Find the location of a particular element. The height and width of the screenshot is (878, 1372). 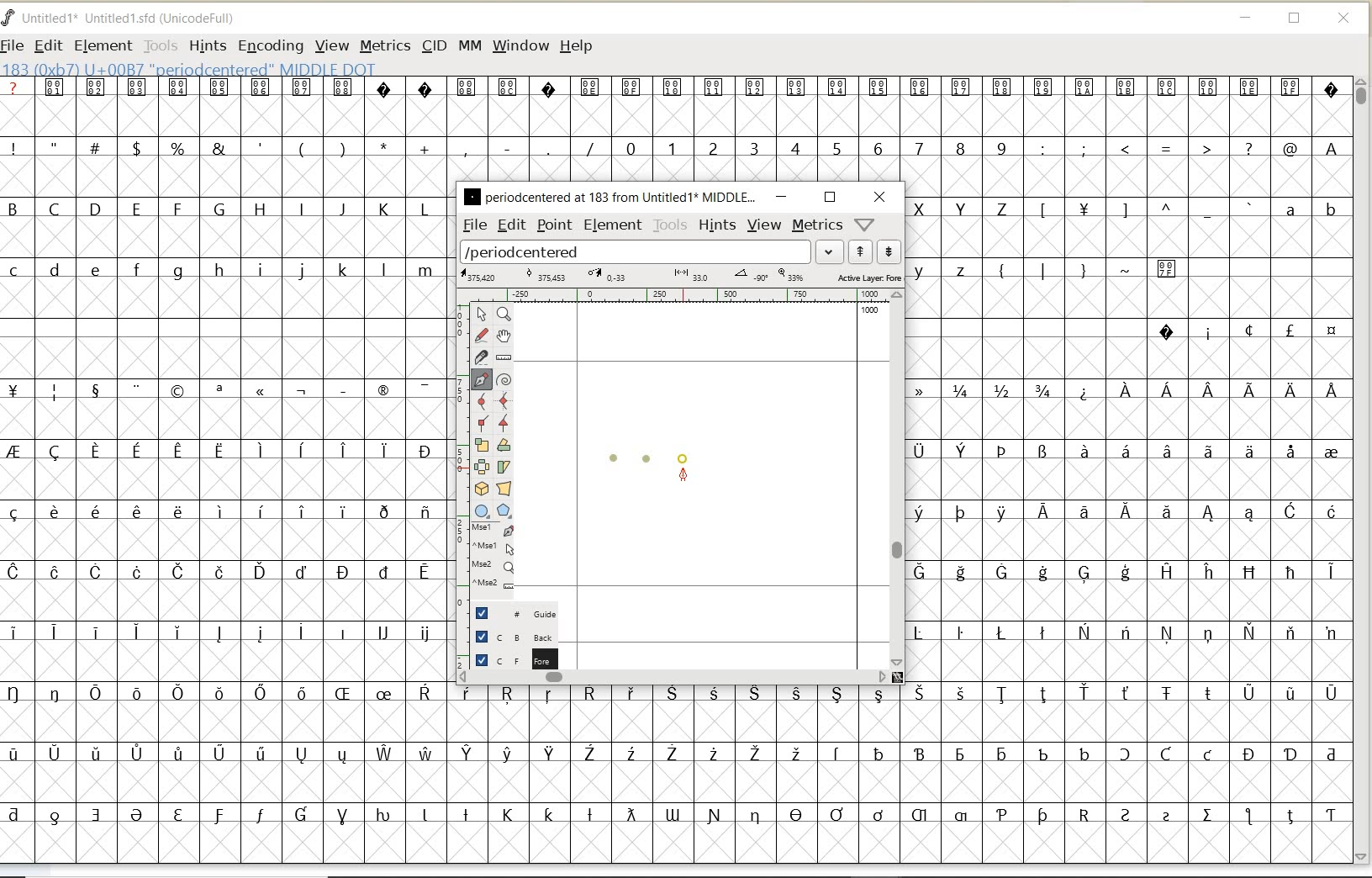

minimize is located at coordinates (781, 197).